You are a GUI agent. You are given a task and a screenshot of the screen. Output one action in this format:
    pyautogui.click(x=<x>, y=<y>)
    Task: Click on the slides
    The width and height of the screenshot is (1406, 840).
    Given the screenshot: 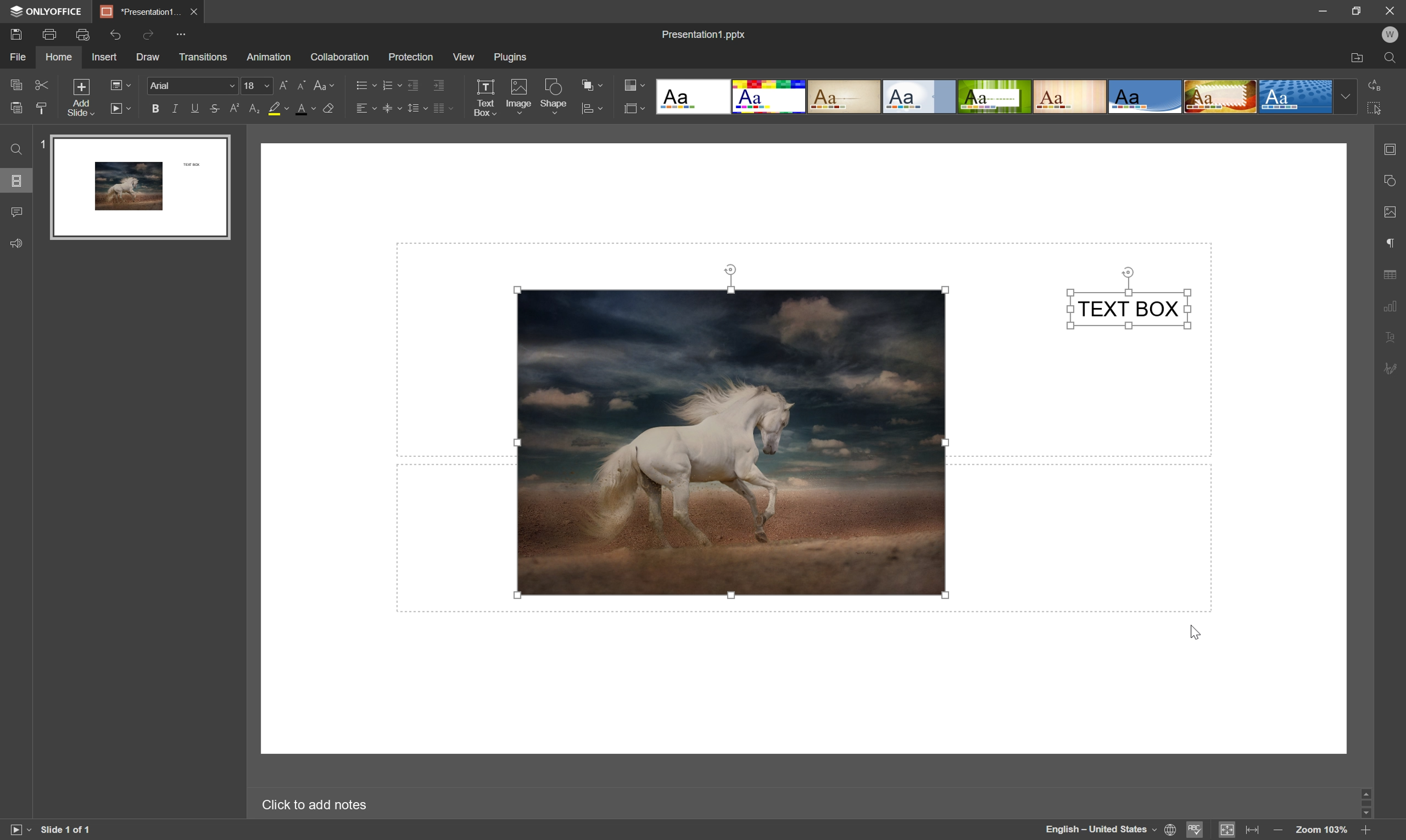 What is the action you would take?
    pyautogui.click(x=18, y=182)
    